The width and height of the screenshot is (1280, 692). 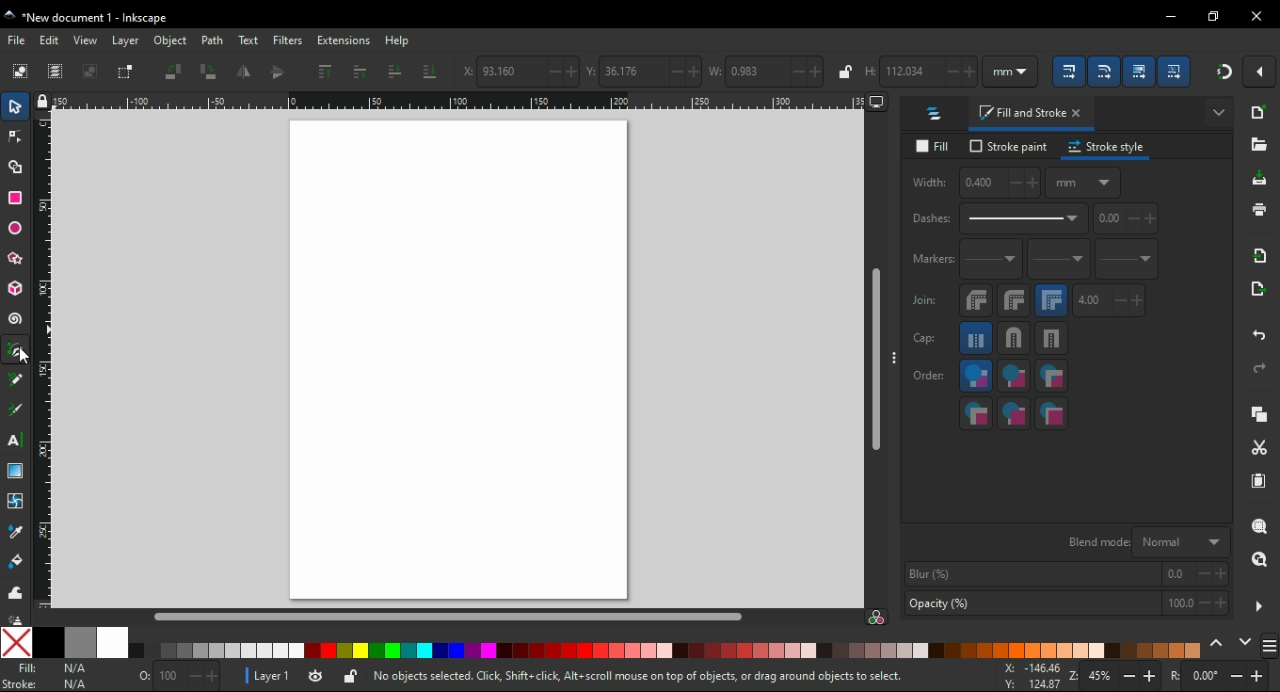 What do you see at coordinates (209, 72) in the screenshot?
I see `rotate 90` at bounding box center [209, 72].